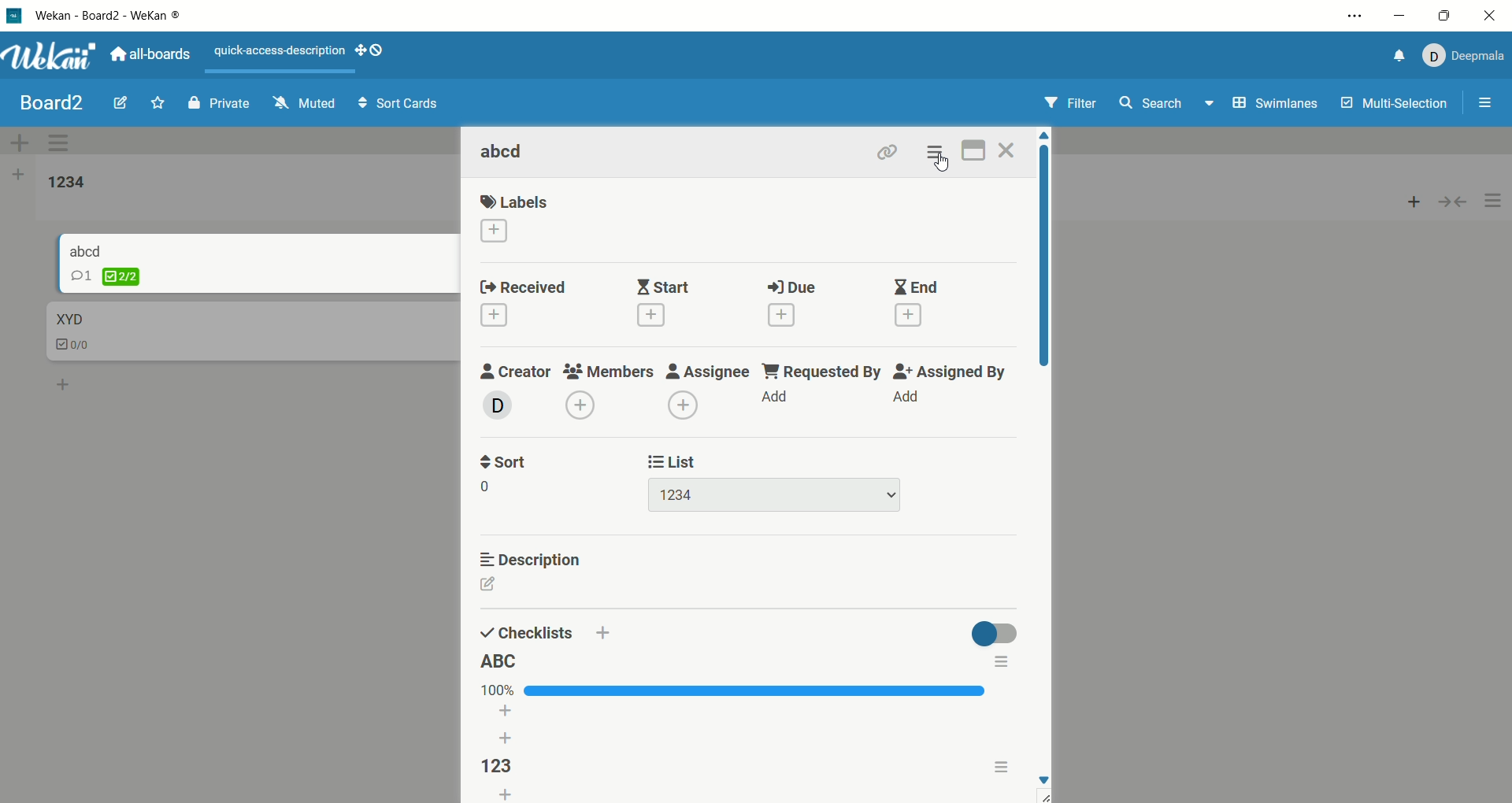 This screenshot has width=1512, height=803. What do you see at coordinates (21, 142) in the screenshot?
I see `add swimlane` at bounding box center [21, 142].